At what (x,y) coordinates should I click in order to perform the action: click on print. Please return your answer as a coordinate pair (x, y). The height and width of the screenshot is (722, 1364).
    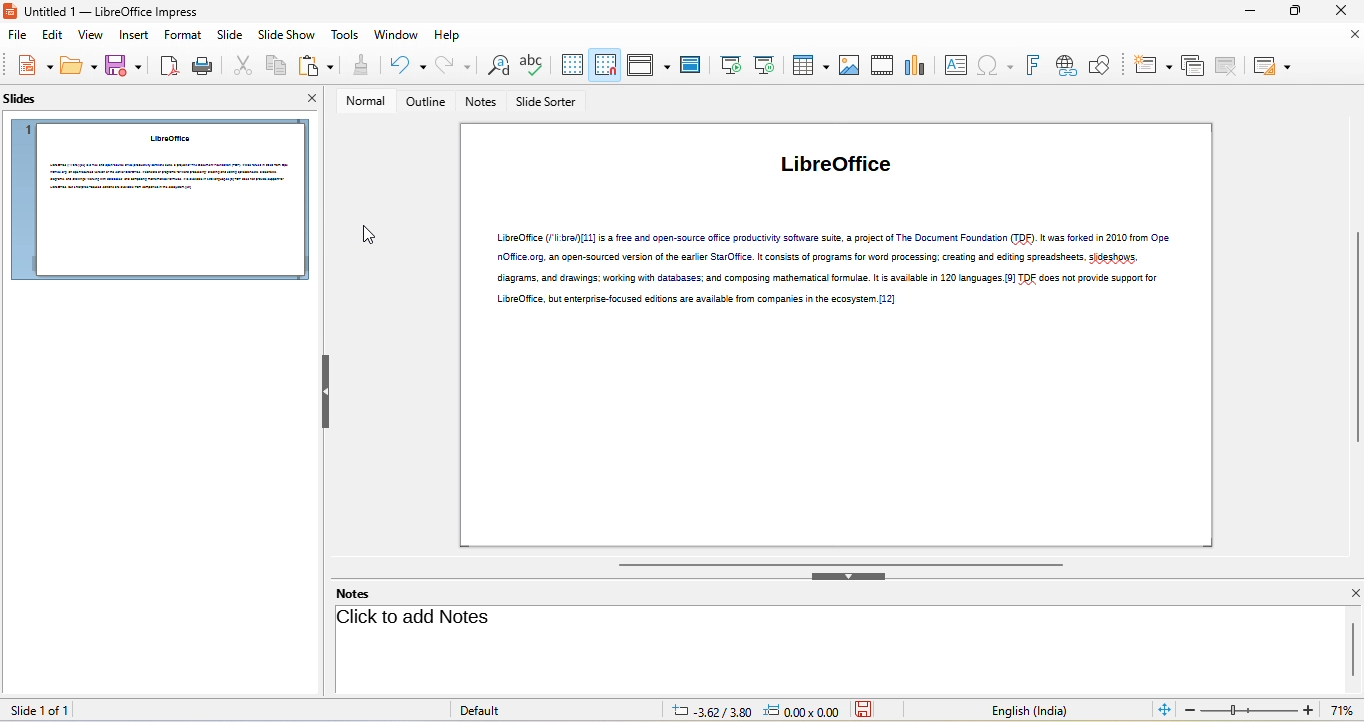
    Looking at the image, I should click on (204, 65).